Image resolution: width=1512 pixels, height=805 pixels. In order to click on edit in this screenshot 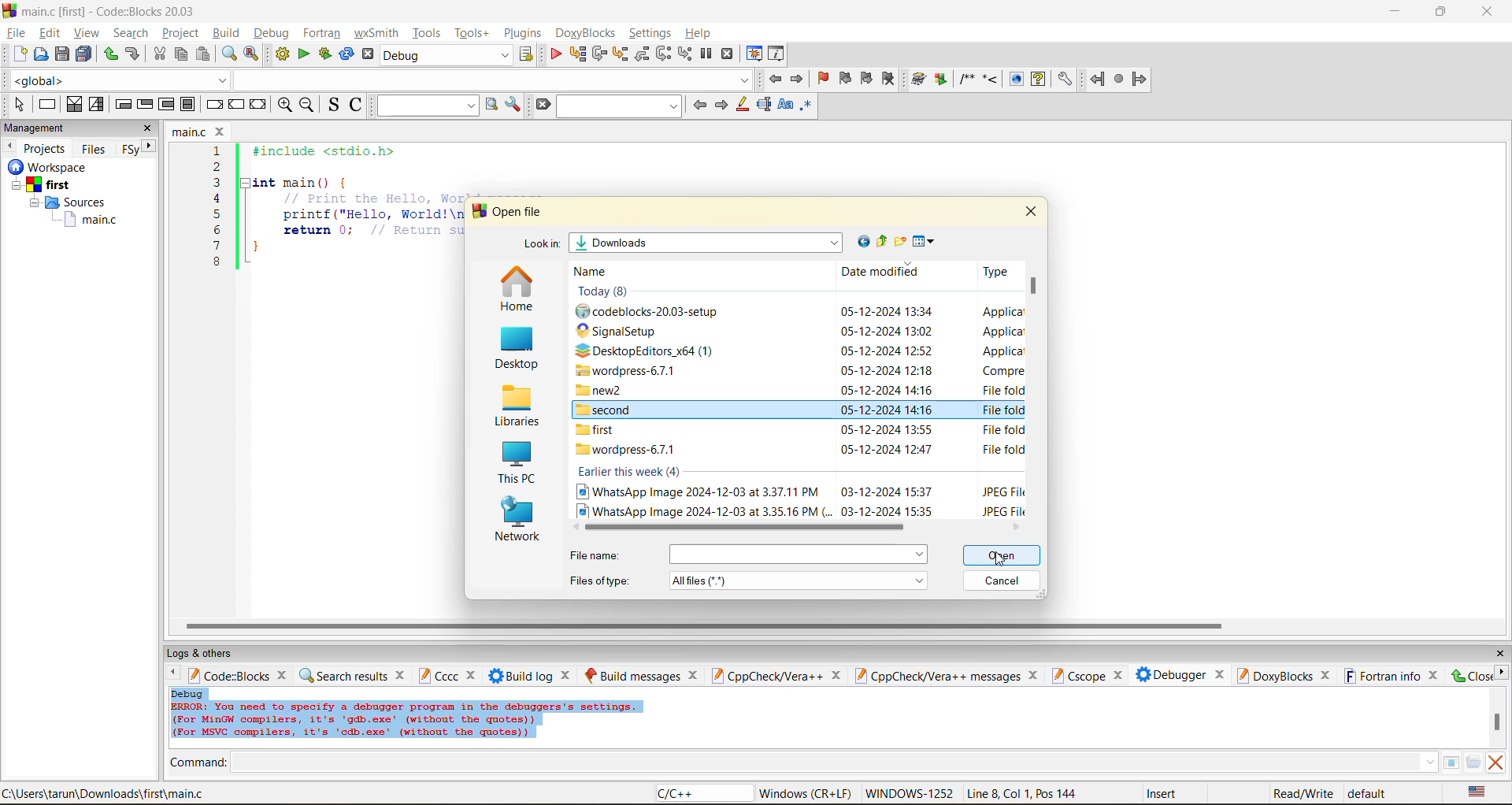, I will do `click(52, 33)`.